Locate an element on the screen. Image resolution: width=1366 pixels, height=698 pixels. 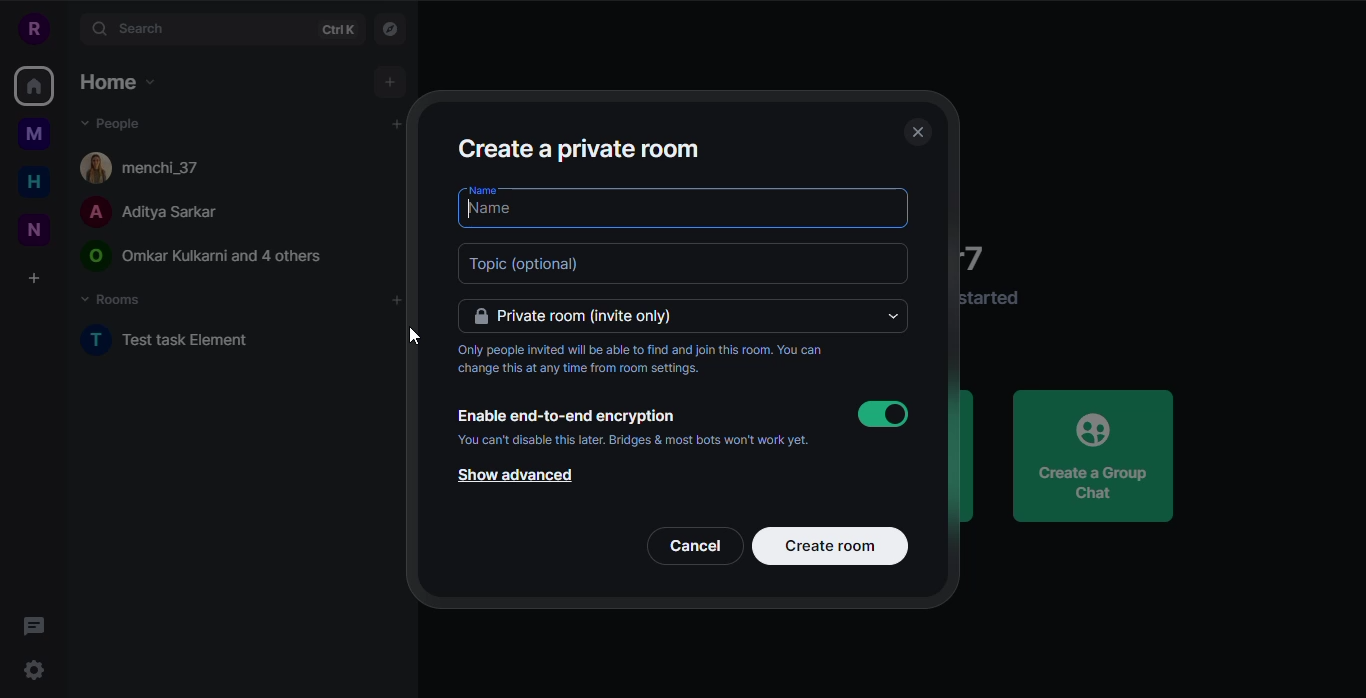
create a group chat is located at coordinates (1094, 455).